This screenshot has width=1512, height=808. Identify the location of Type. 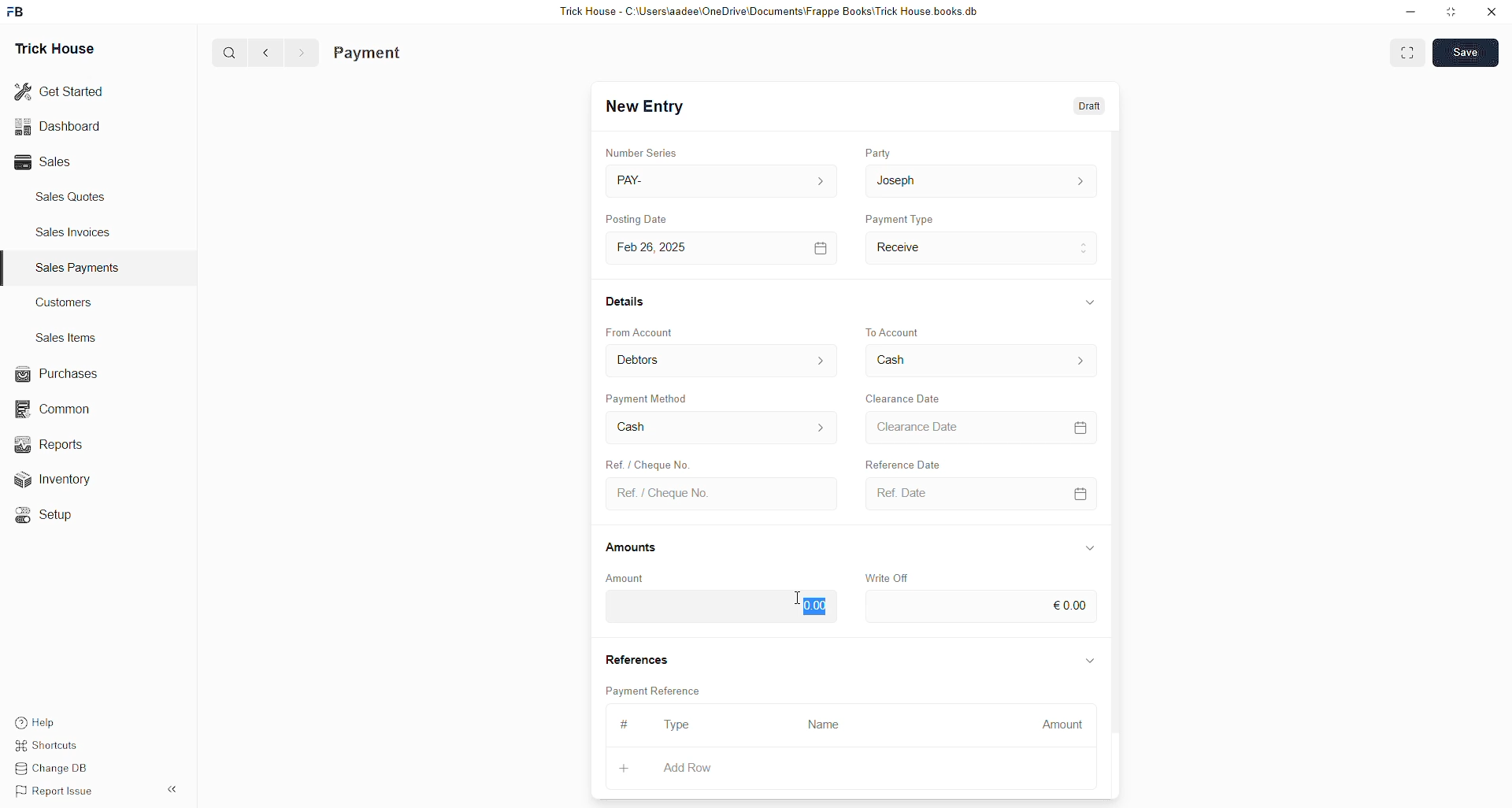
(677, 725).